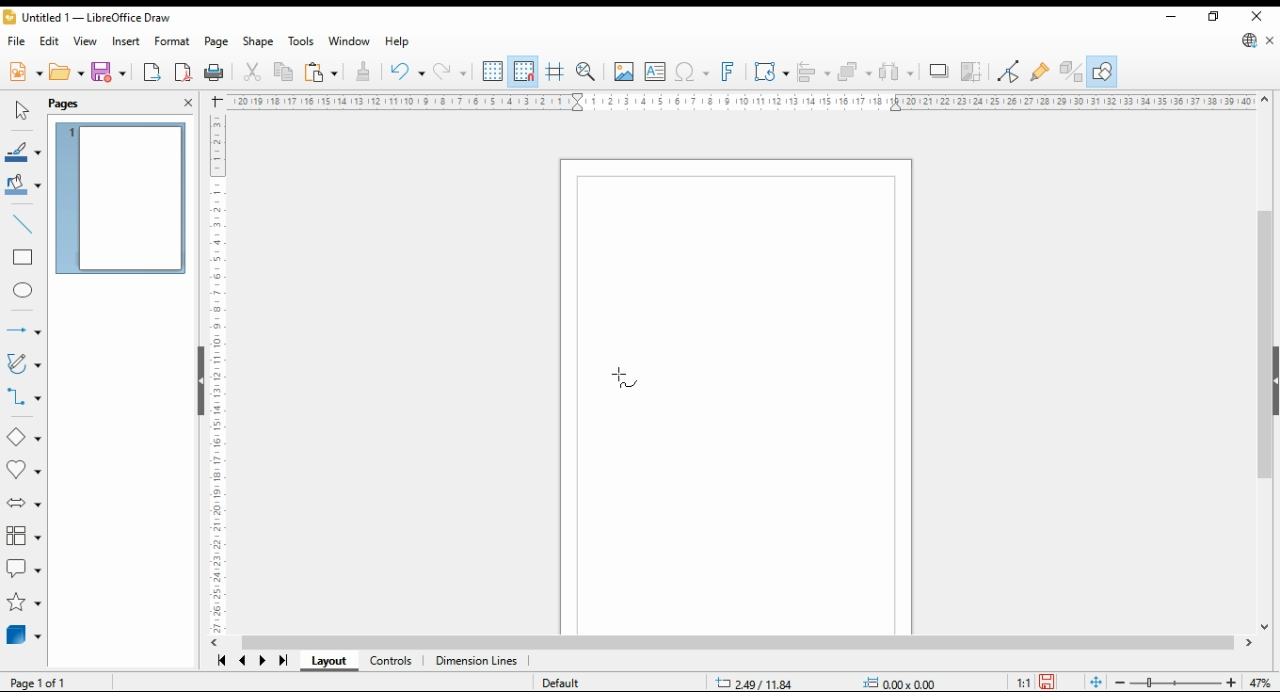  Describe the element at coordinates (1272, 39) in the screenshot. I see `close document` at that location.